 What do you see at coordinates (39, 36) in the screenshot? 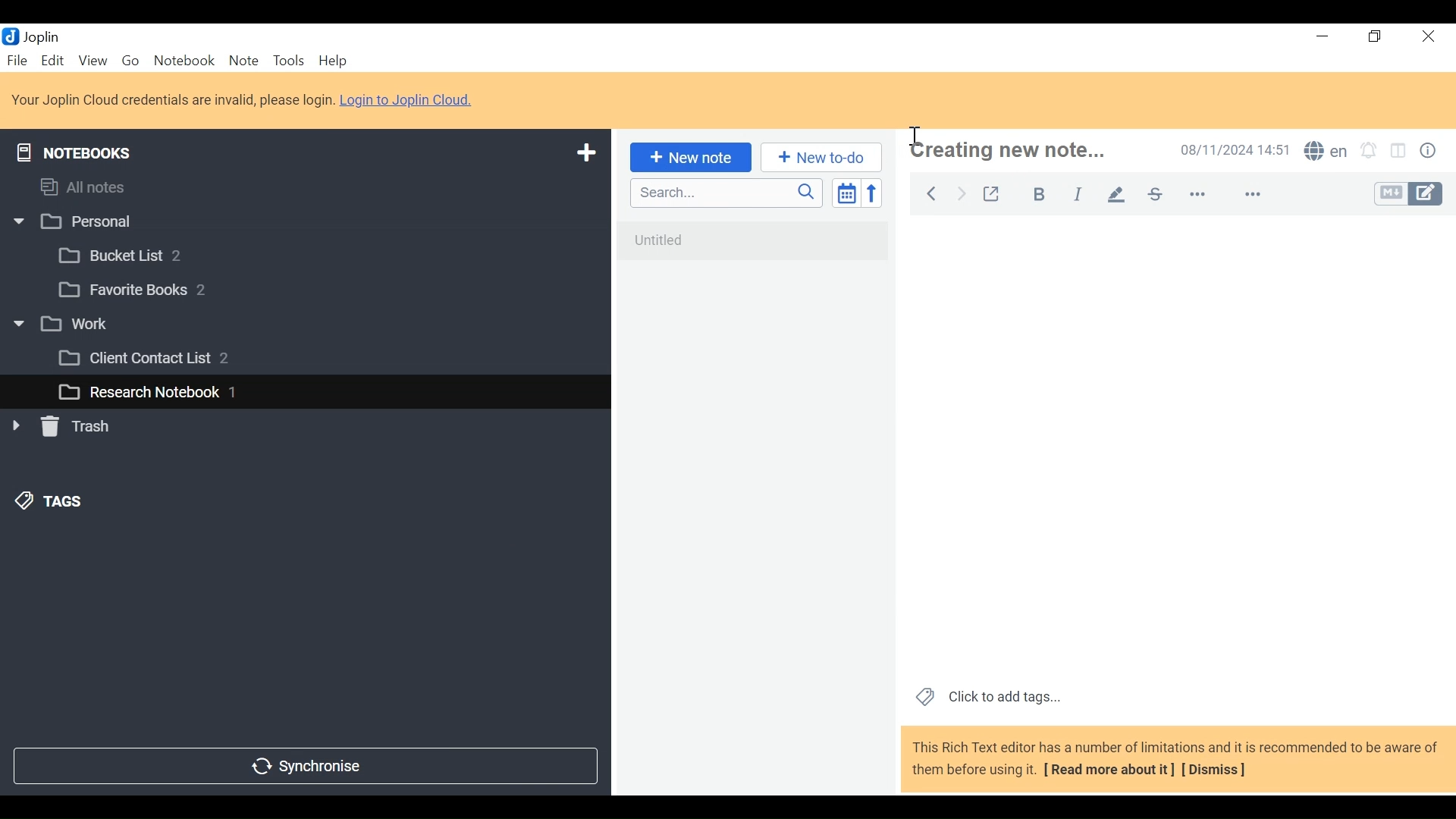
I see `Joplin Desktop Icon` at bounding box center [39, 36].